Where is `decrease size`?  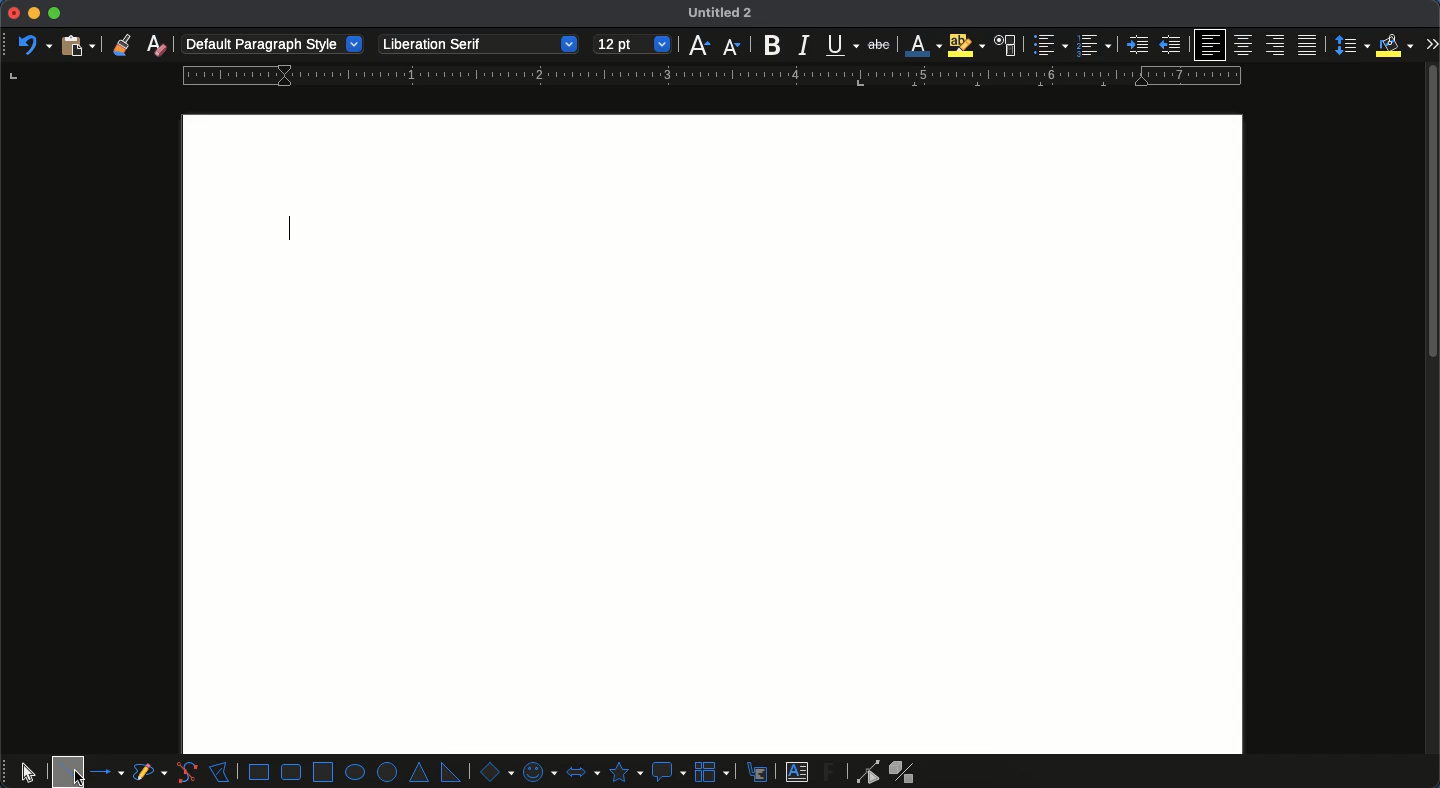 decrease size is located at coordinates (732, 46).